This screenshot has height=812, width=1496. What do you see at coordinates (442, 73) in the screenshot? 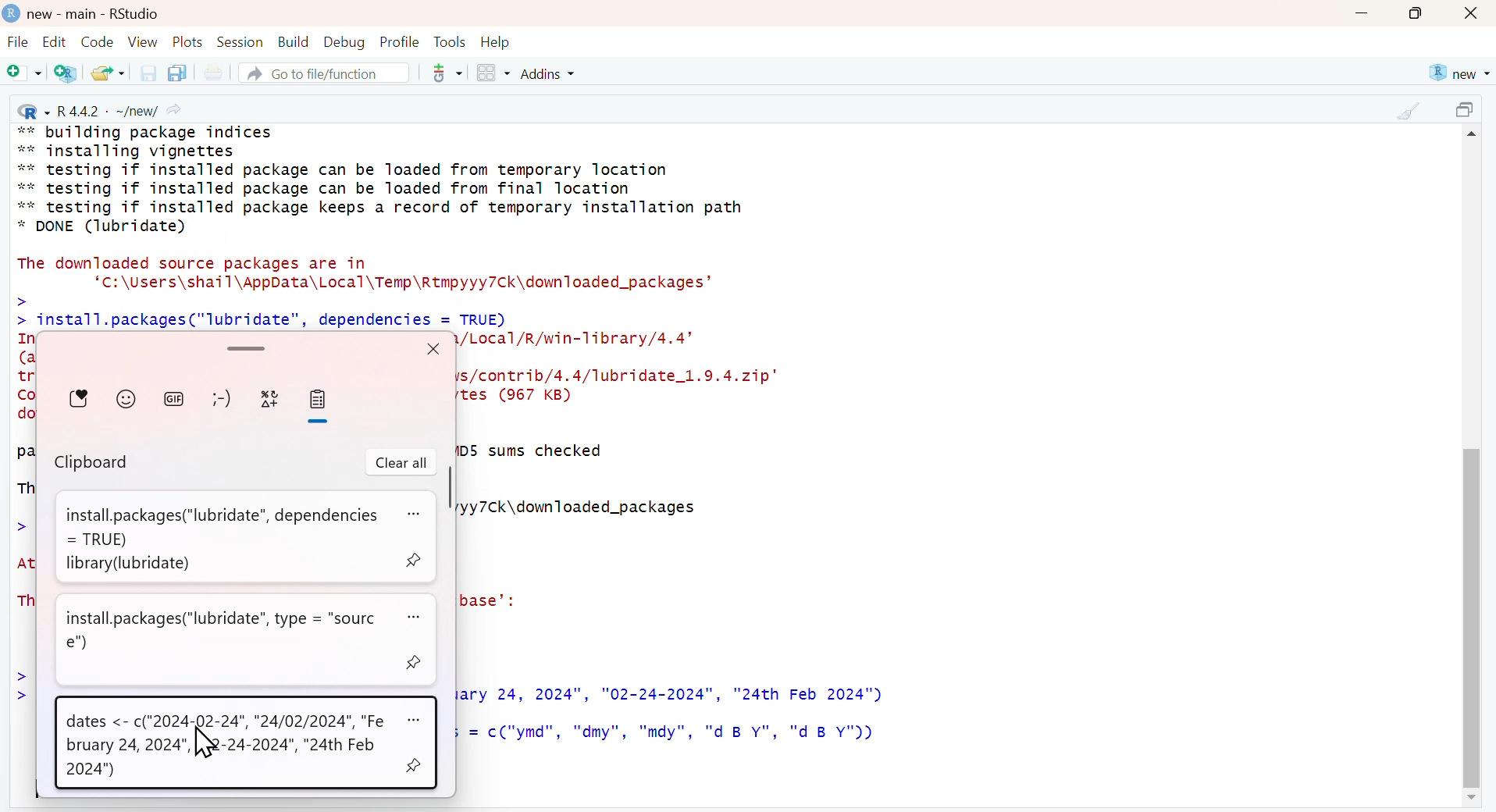
I see `more options` at bounding box center [442, 73].